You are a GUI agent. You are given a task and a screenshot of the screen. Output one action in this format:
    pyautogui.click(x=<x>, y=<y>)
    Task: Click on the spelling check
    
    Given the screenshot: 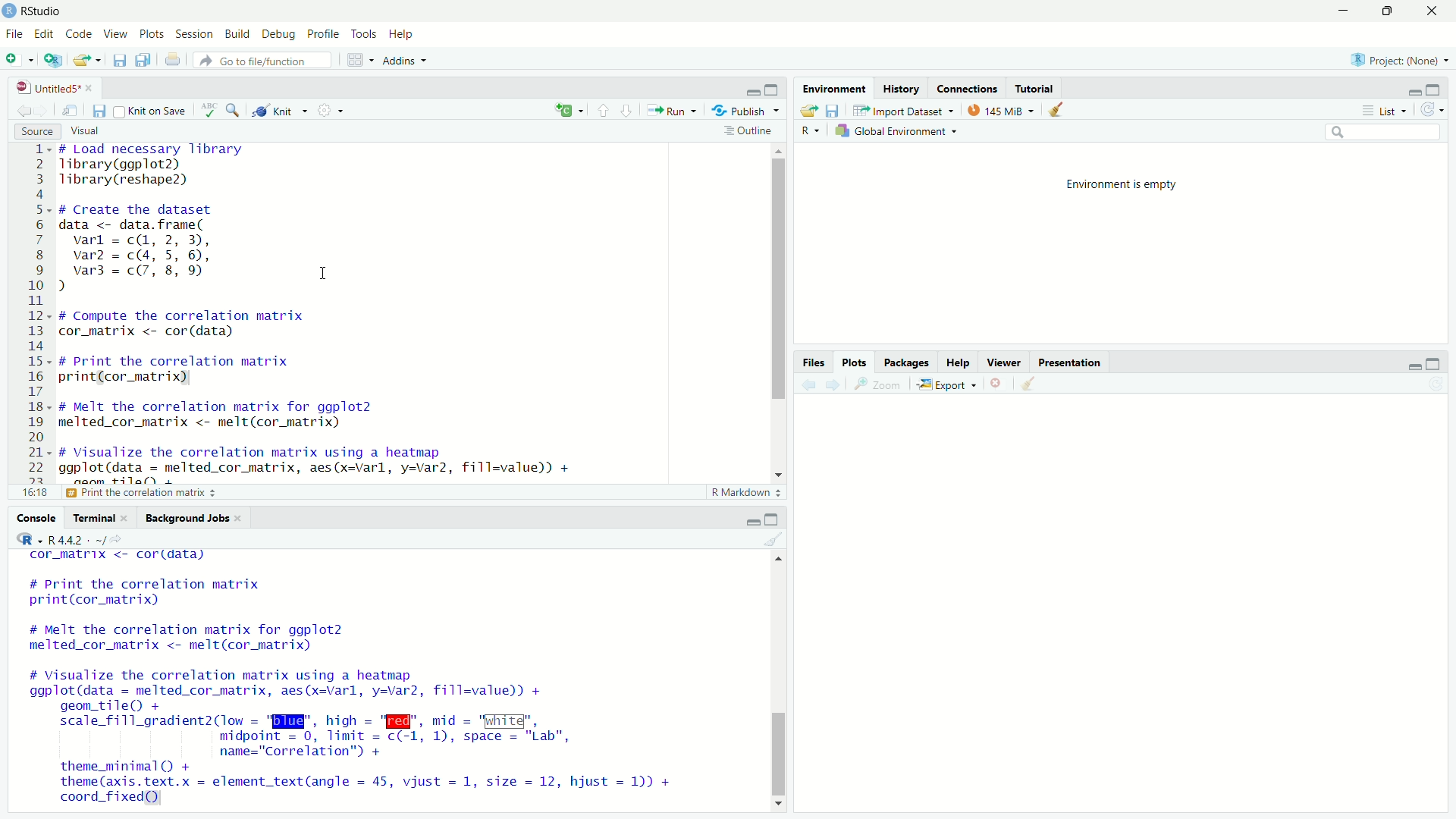 What is the action you would take?
    pyautogui.click(x=208, y=110)
    